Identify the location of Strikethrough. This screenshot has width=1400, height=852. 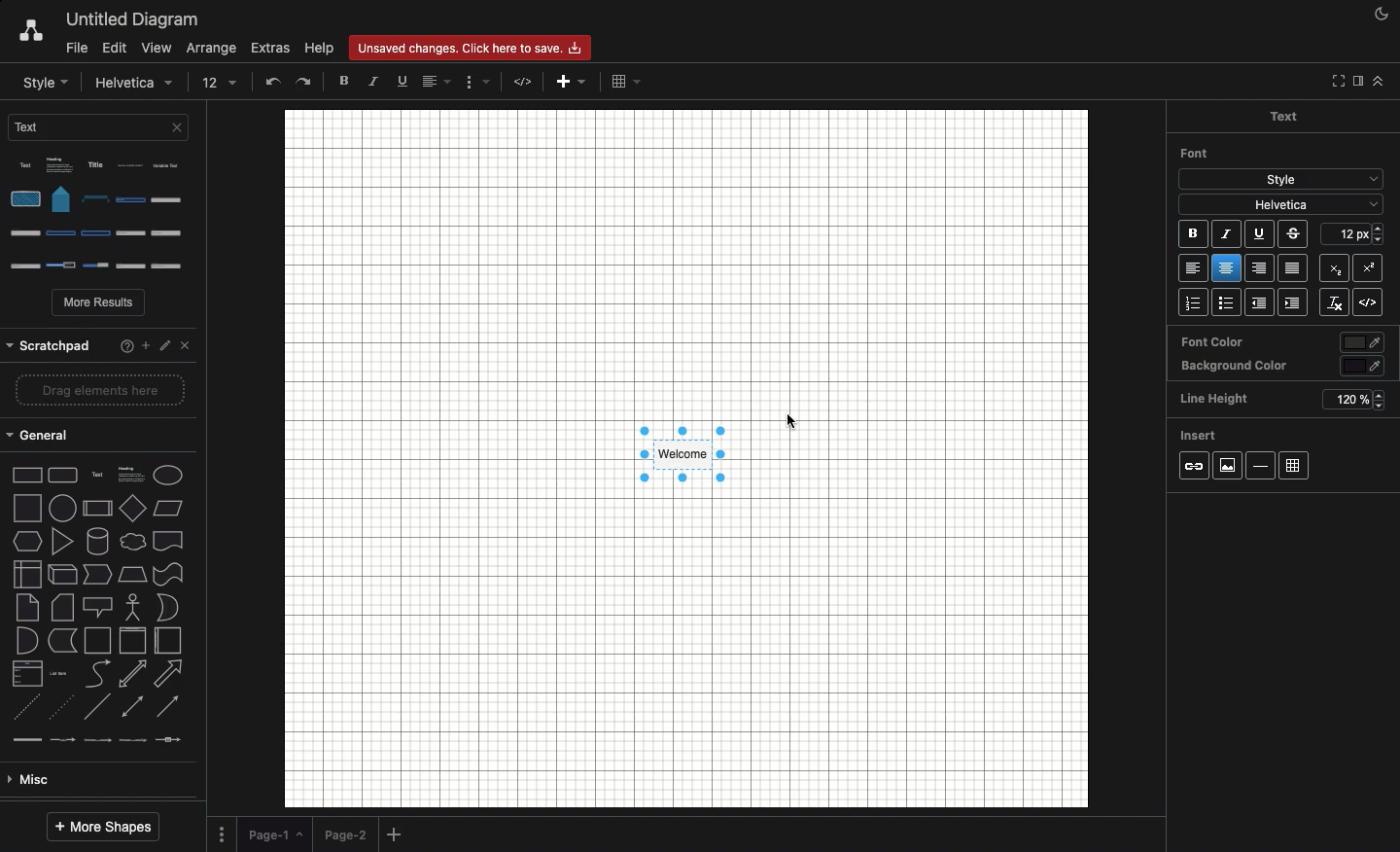
(1295, 235).